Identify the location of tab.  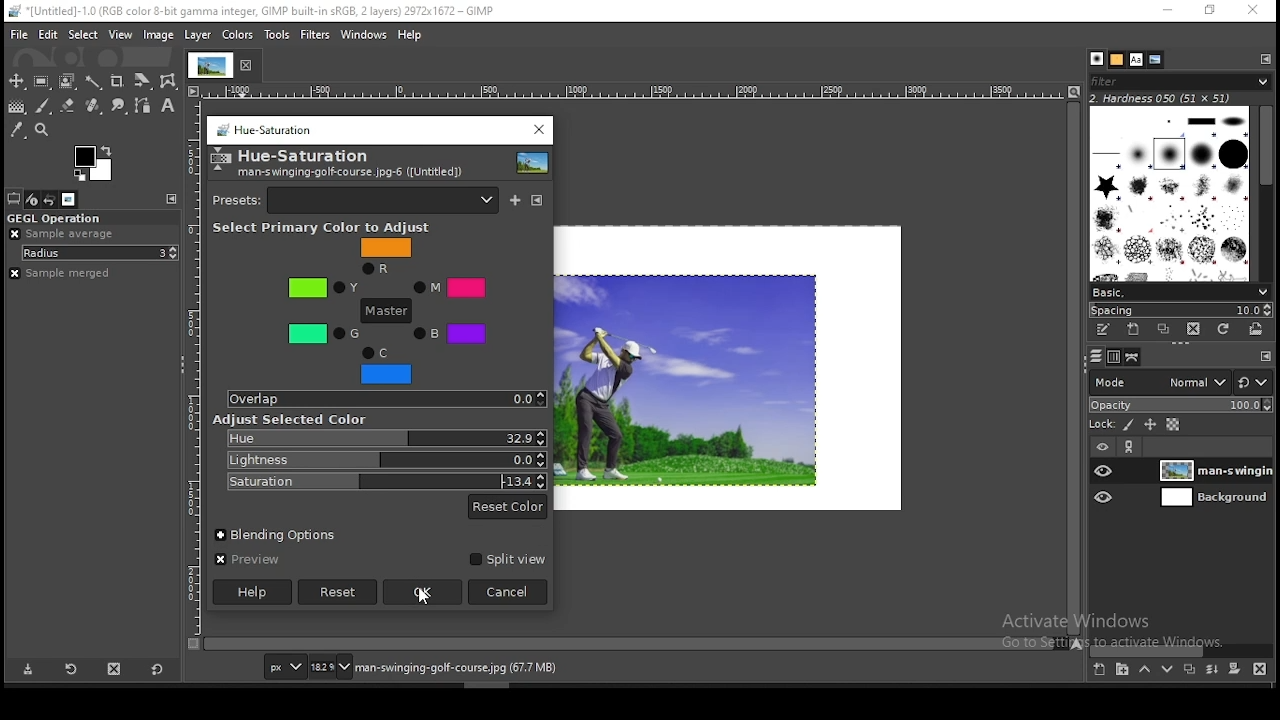
(210, 65).